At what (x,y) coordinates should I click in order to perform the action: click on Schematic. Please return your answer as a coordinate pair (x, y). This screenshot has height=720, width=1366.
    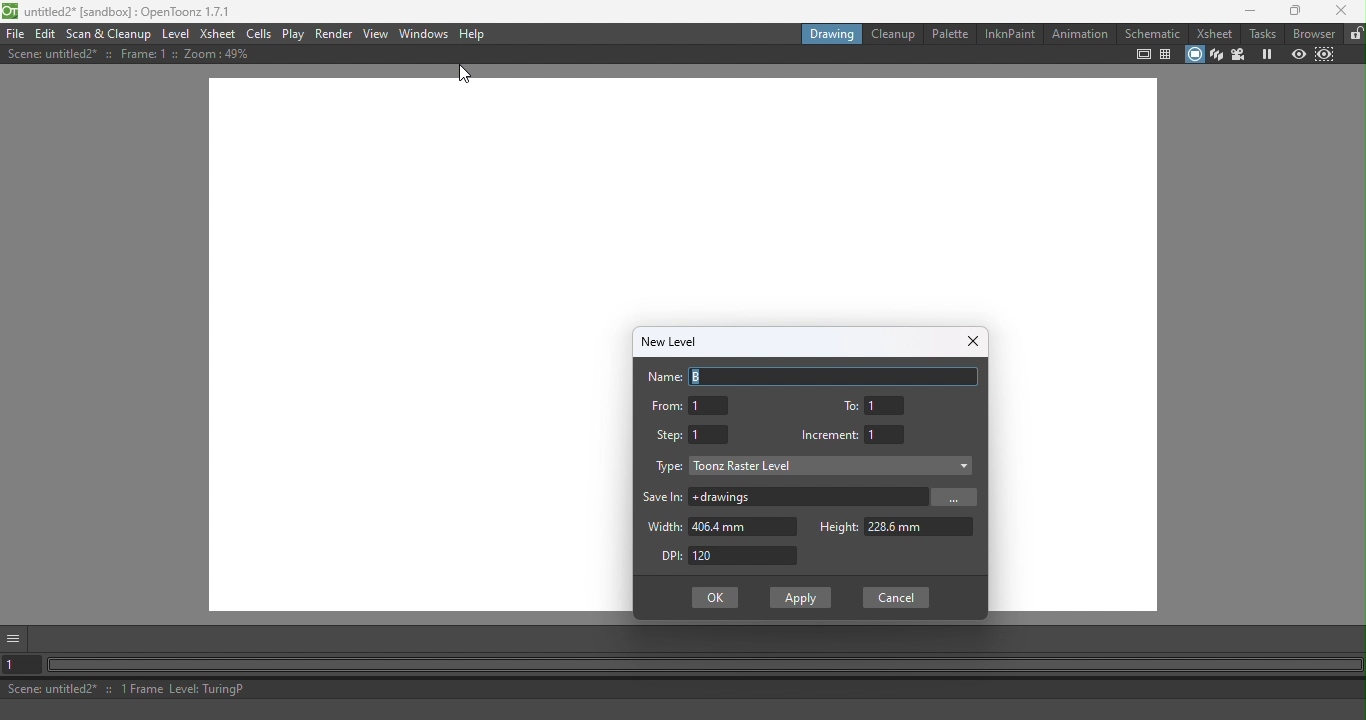
    Looking at the image, I should click on (1153, 34).